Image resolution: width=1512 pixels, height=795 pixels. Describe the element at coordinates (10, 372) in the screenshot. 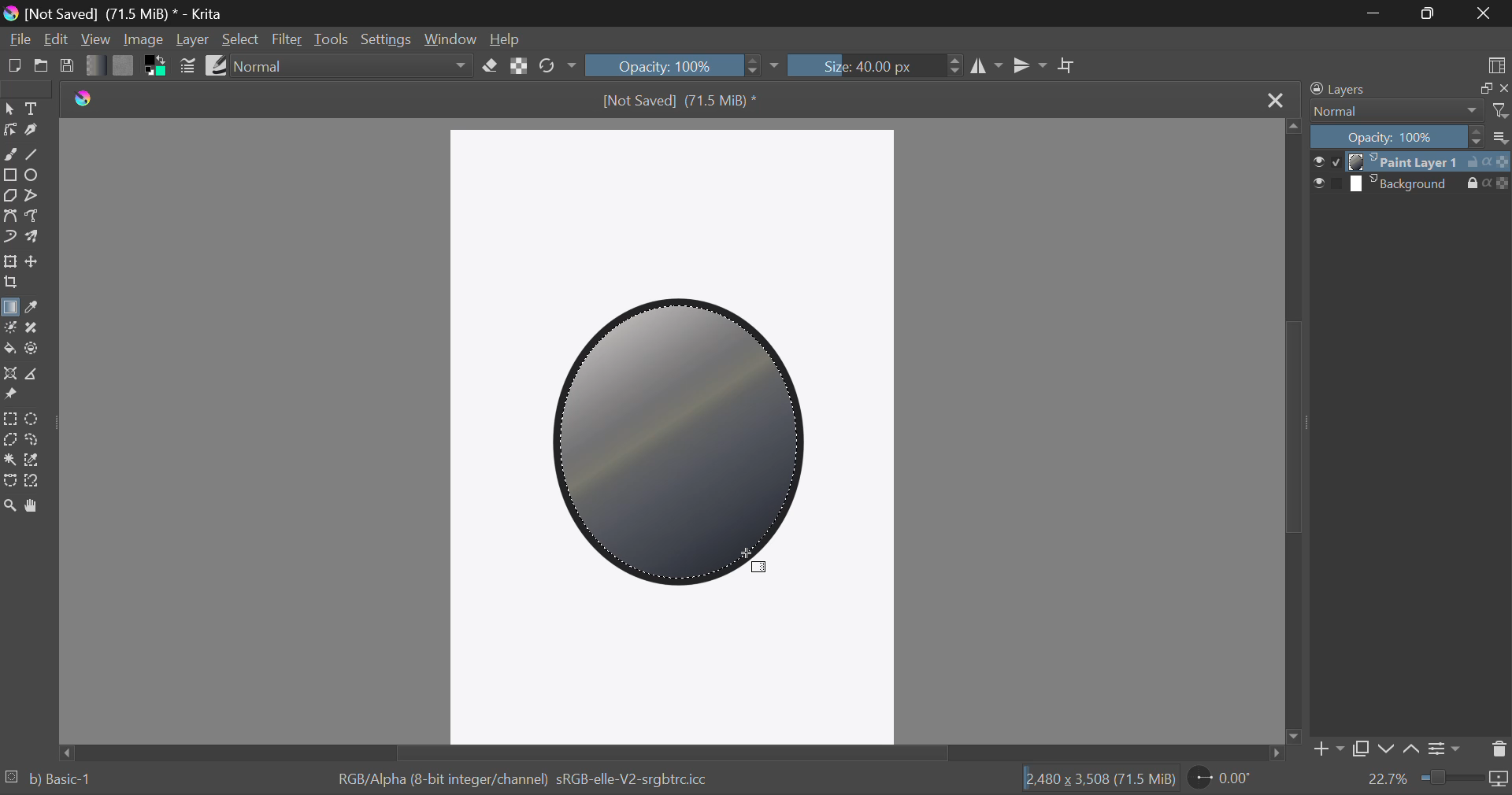

I see `Assistant Tool` at that location.